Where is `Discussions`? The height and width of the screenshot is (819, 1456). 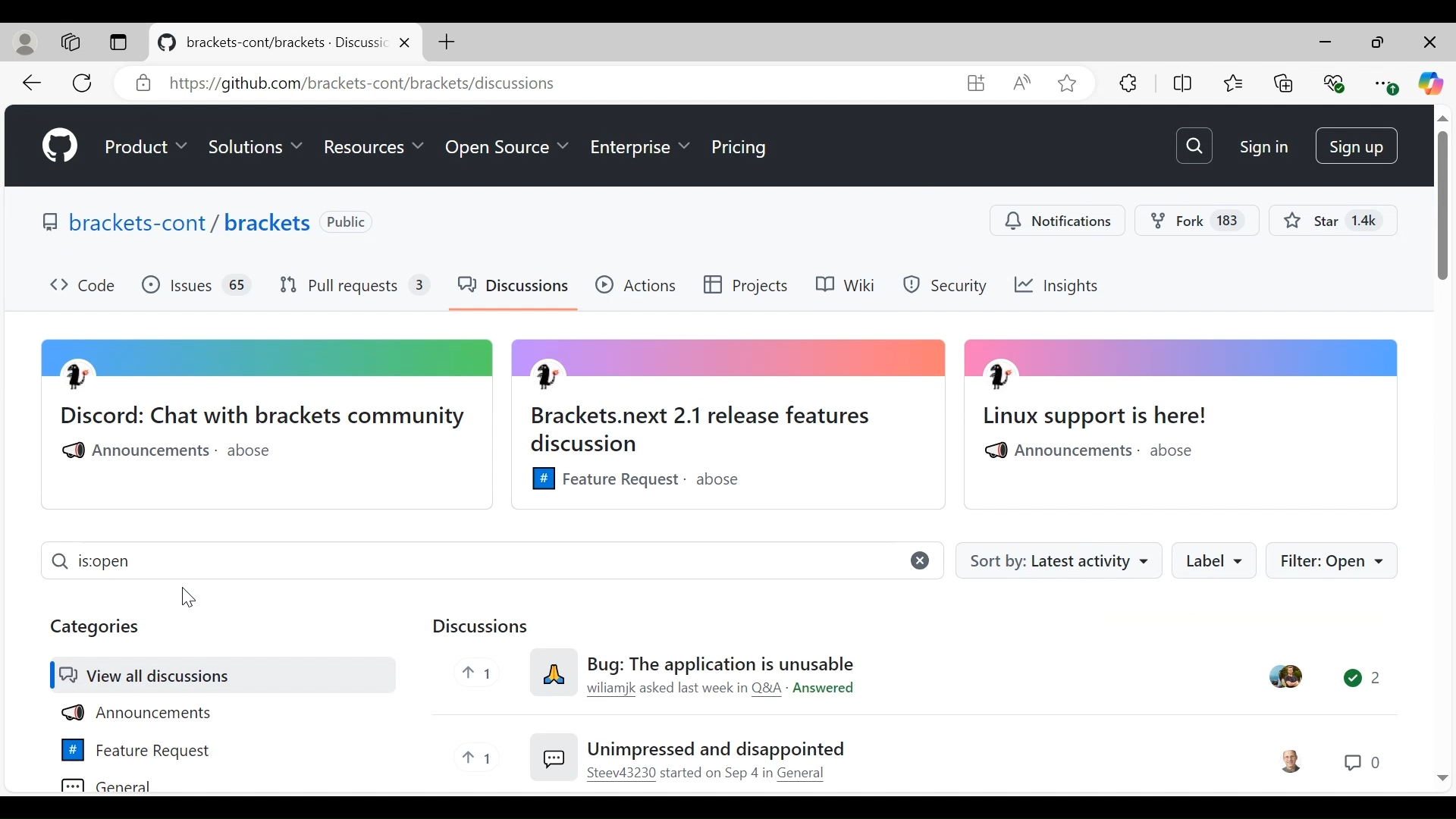 Discussions is located at coordinates (485, 629).